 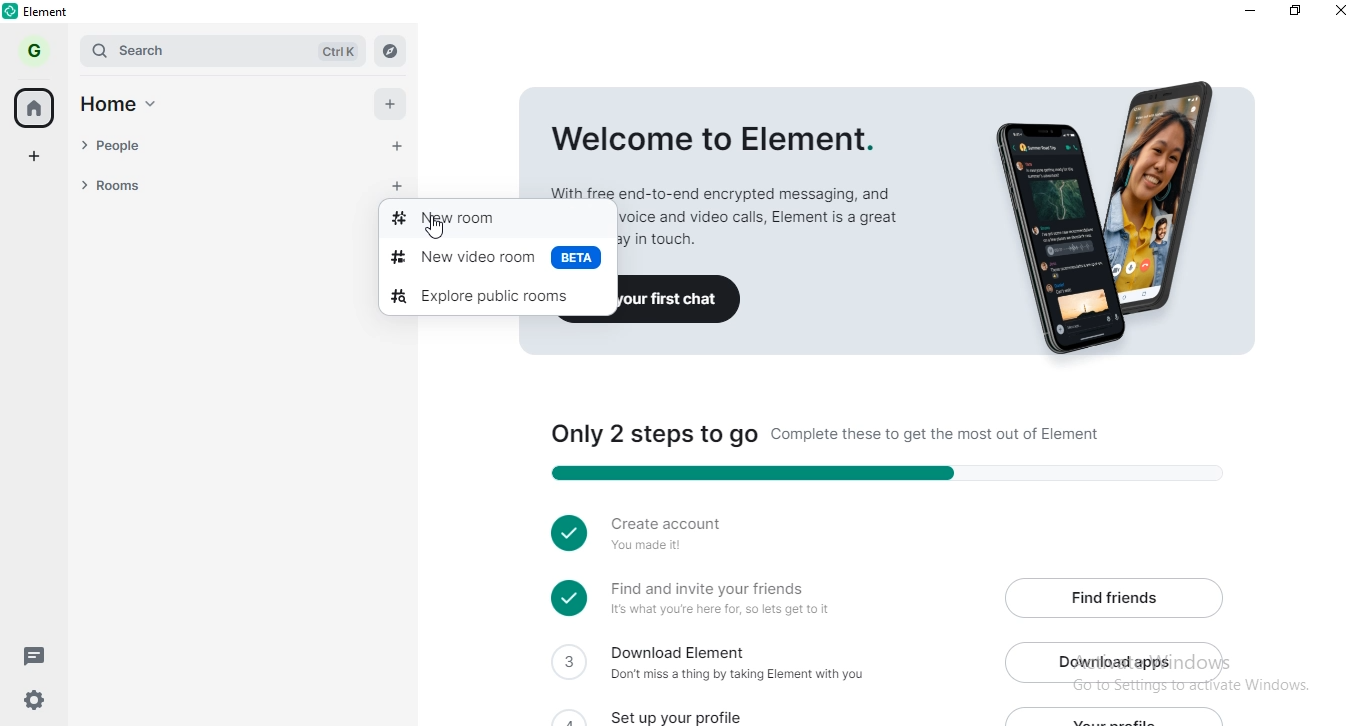 I want to click on start chat, so click(x=396, y=149).